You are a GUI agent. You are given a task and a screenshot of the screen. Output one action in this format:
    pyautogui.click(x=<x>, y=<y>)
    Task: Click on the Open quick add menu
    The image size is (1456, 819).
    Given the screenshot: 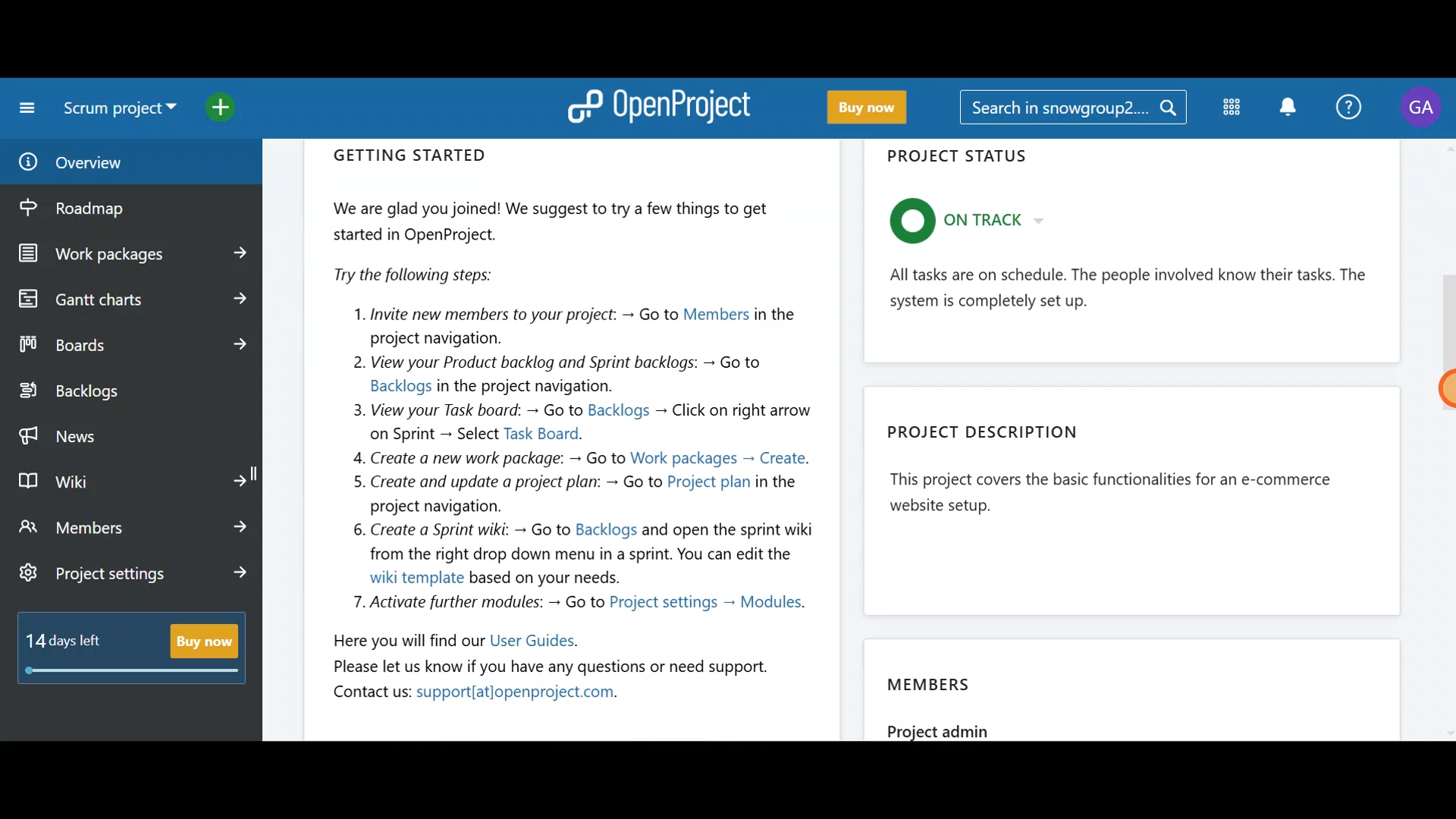 What is the action you would take?
    pyautogui.click(x=235, y=108)
    